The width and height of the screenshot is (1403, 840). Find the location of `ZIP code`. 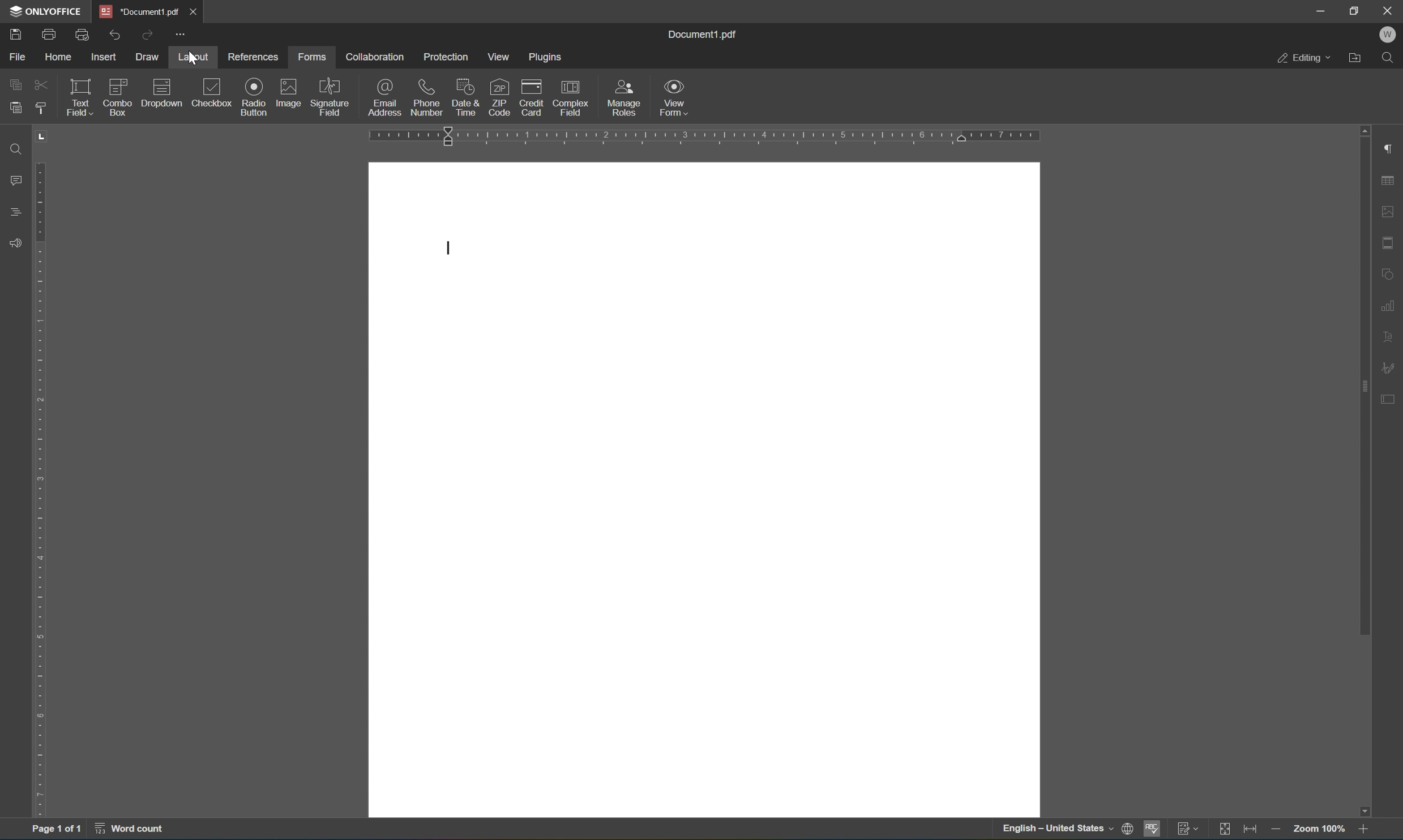

ZIP code is located at coordinates (497, 98).